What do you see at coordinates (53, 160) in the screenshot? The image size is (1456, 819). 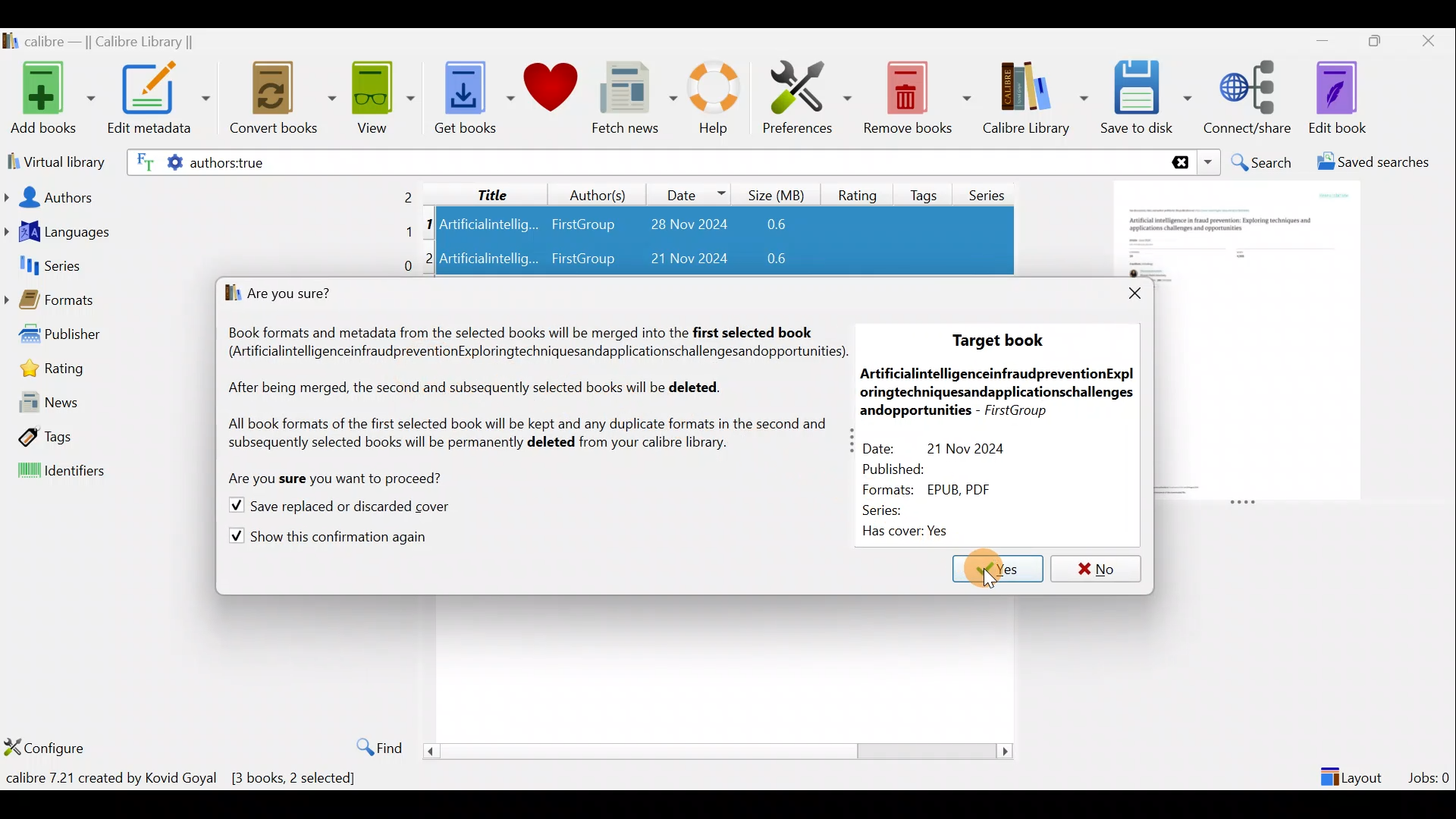 I see `Virtual library` at bounding box center [53, 160].